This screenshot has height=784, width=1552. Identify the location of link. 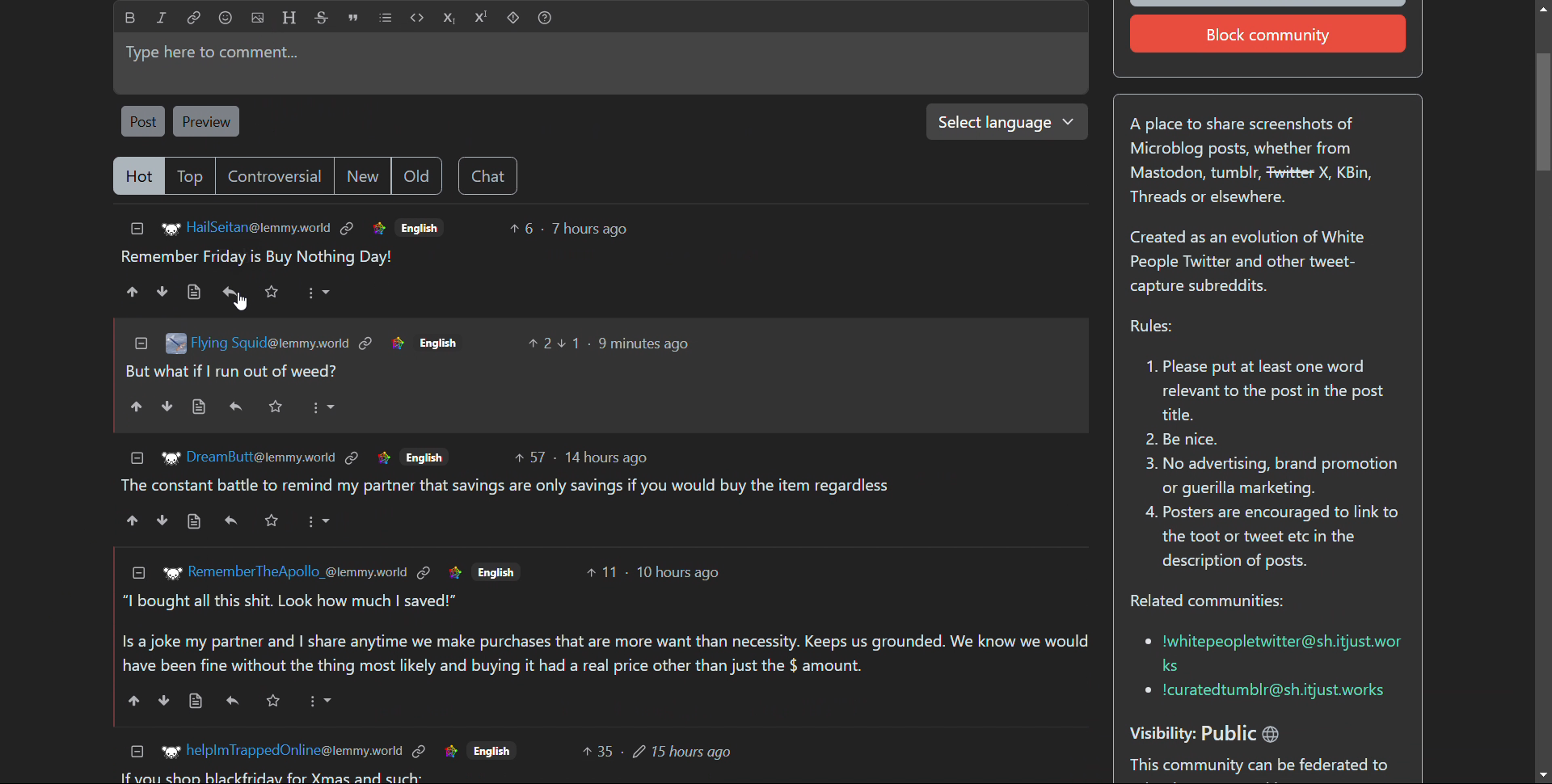
(419, 752).